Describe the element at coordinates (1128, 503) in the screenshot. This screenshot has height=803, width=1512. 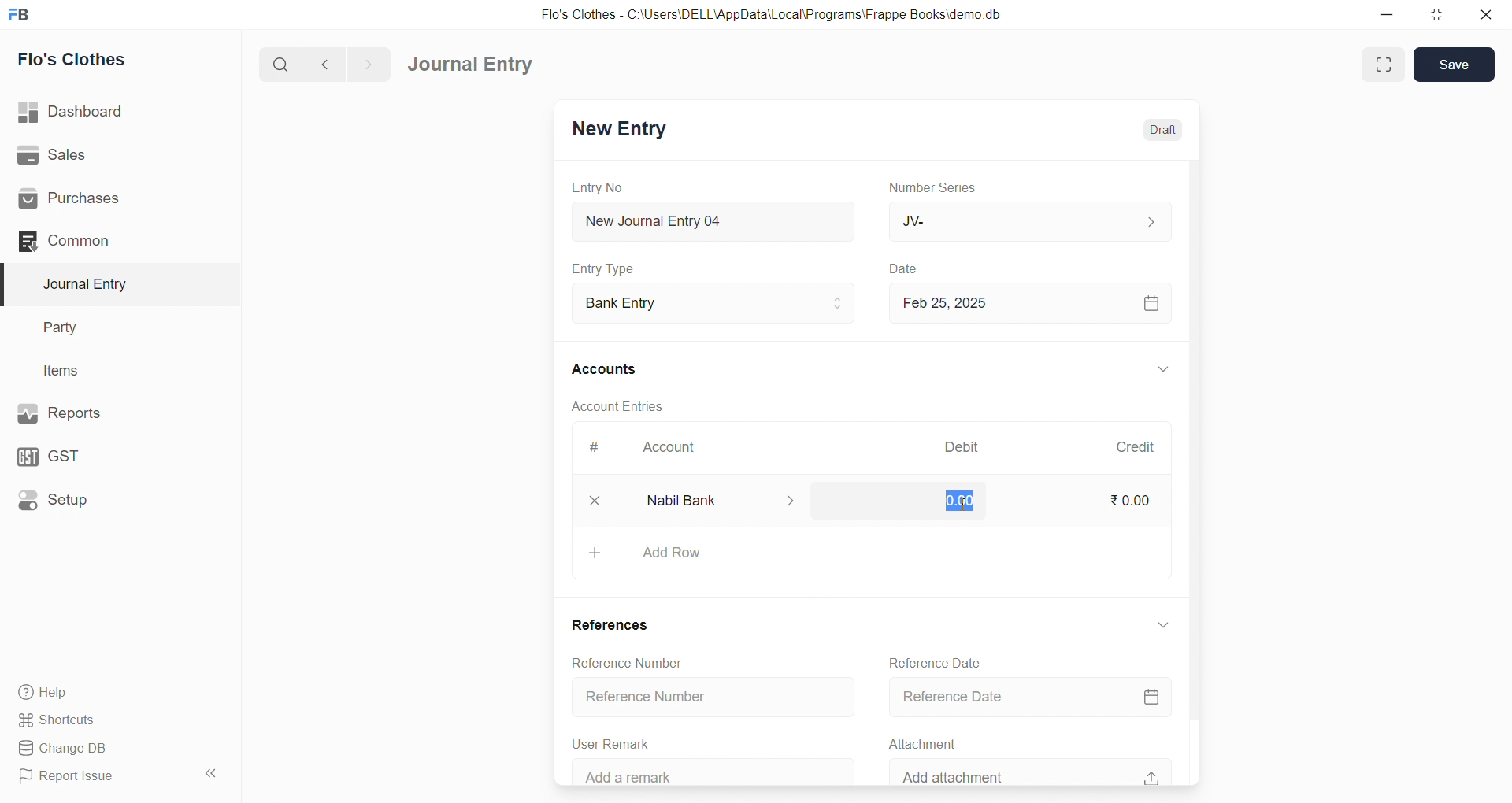
I see `₹ 0.00` at that location.